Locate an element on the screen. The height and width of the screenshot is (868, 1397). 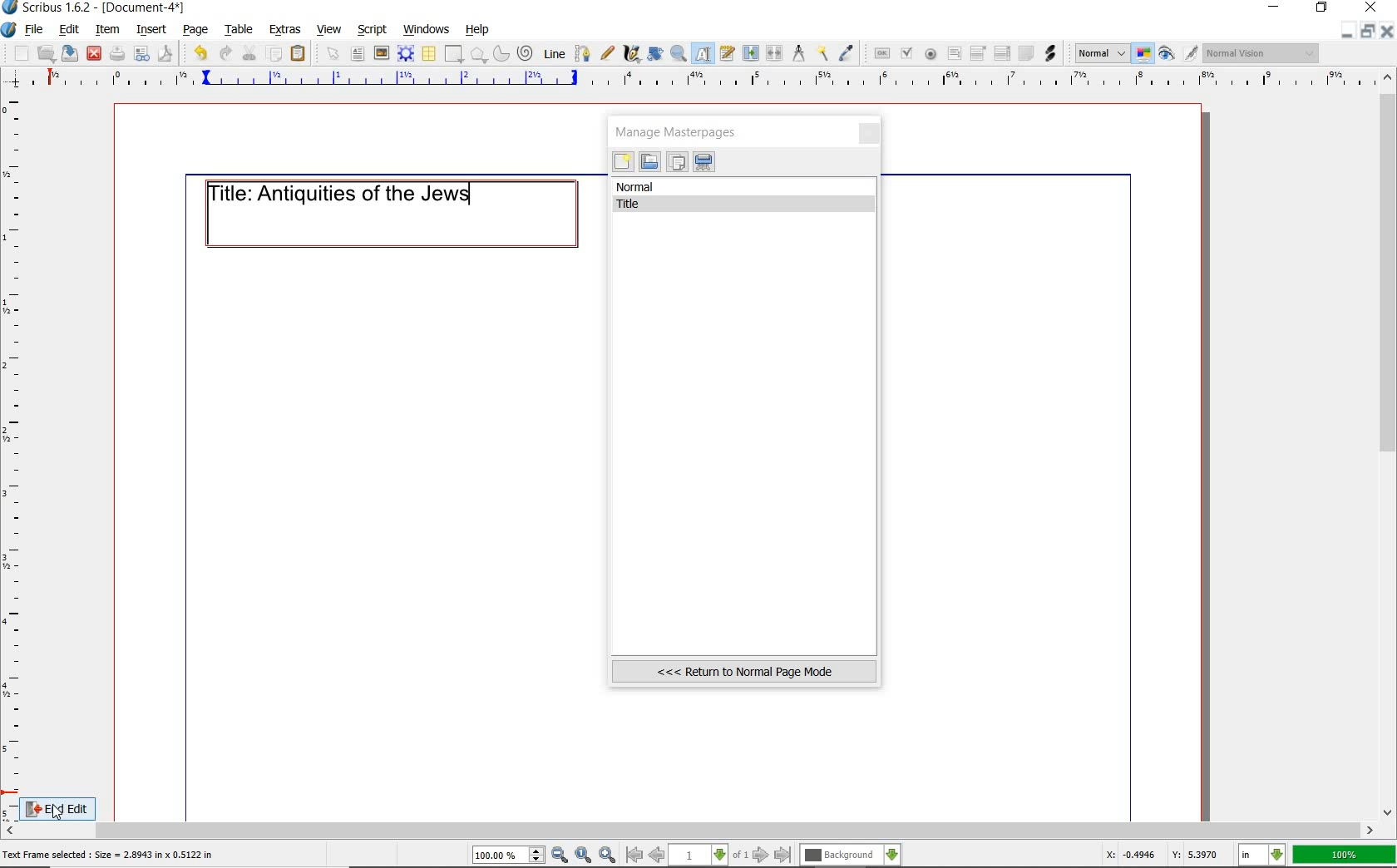
zoom out is located at coordinates (560, 856).